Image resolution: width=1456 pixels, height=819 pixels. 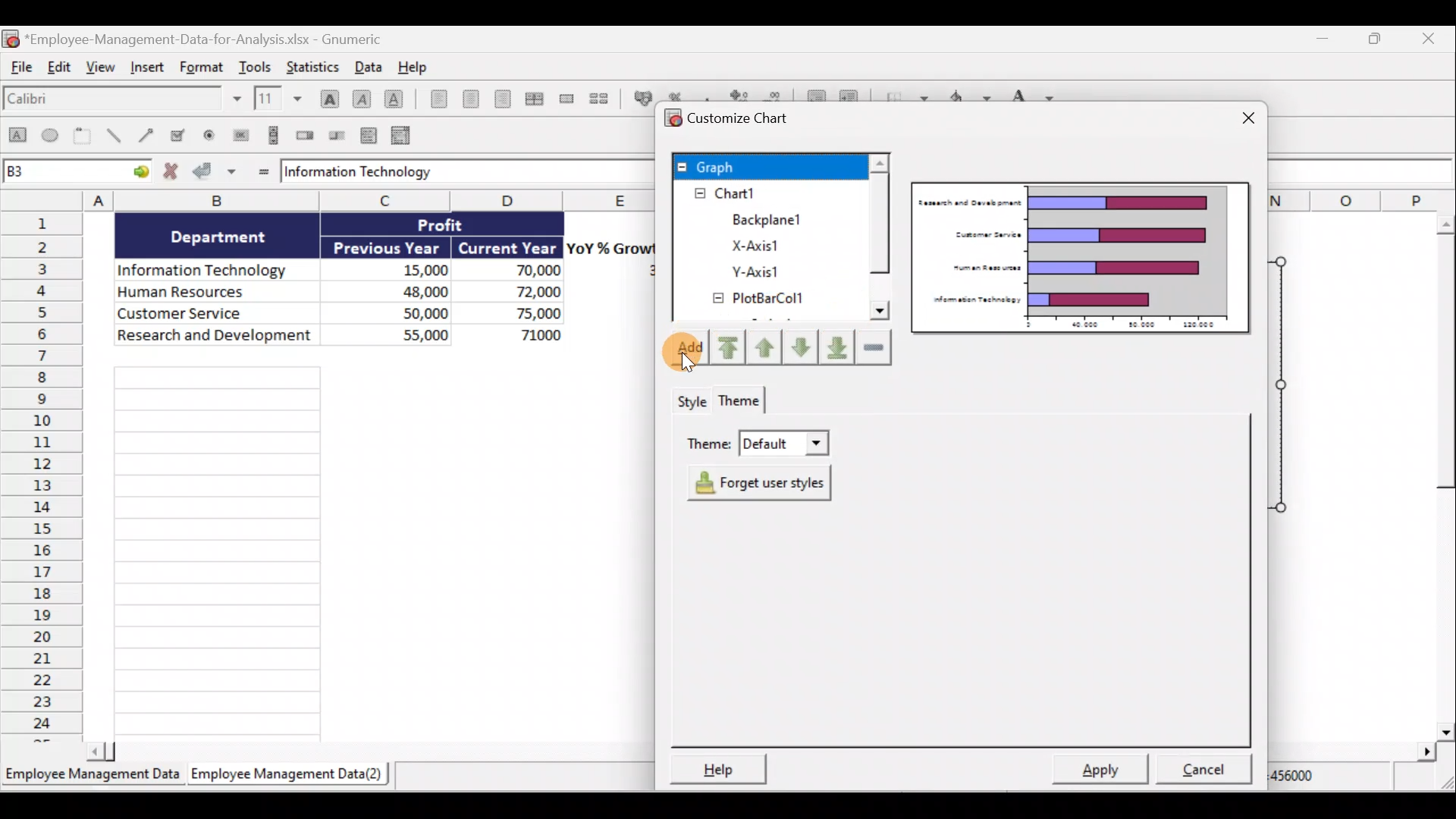 What do you see at coordinates (17, 136) in the screenshot?
I see `Create a rectangle object` at bounding box center [17, 136].